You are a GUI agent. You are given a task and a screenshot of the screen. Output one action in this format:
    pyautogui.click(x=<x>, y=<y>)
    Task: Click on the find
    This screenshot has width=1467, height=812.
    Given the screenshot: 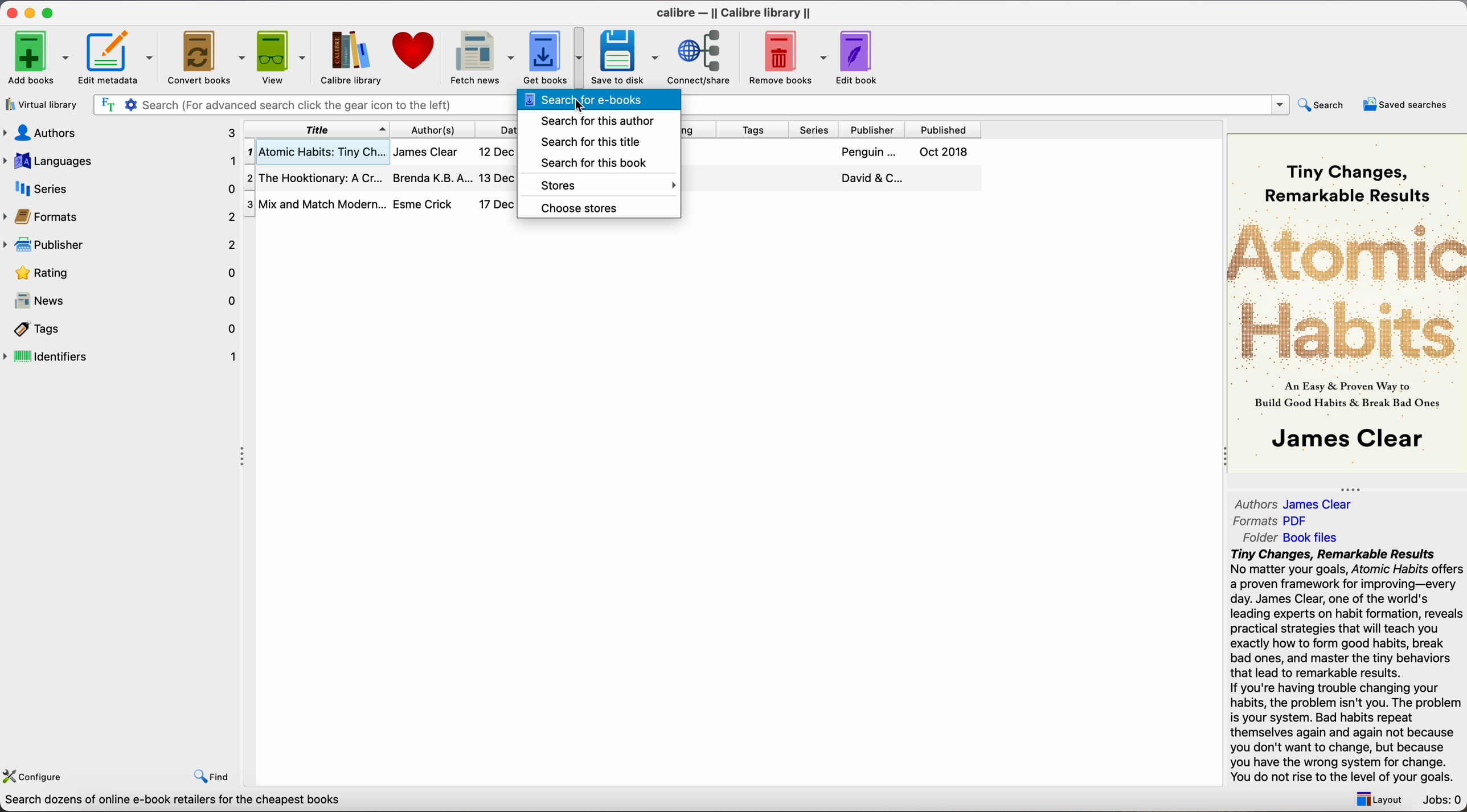 What is the action you would take?
    pyautogui.click(x=212, y=776)
    